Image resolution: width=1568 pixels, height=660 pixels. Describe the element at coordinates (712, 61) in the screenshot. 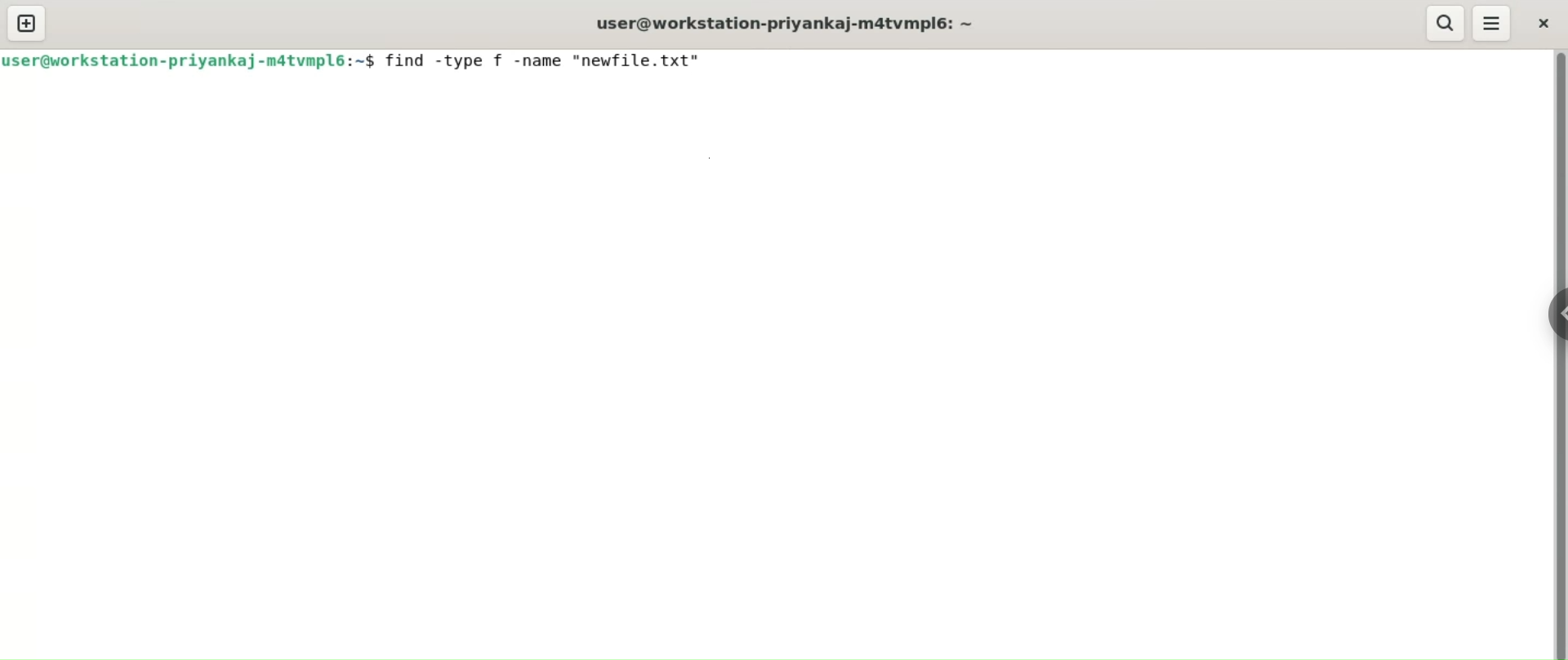

I see `cursor` at that location.